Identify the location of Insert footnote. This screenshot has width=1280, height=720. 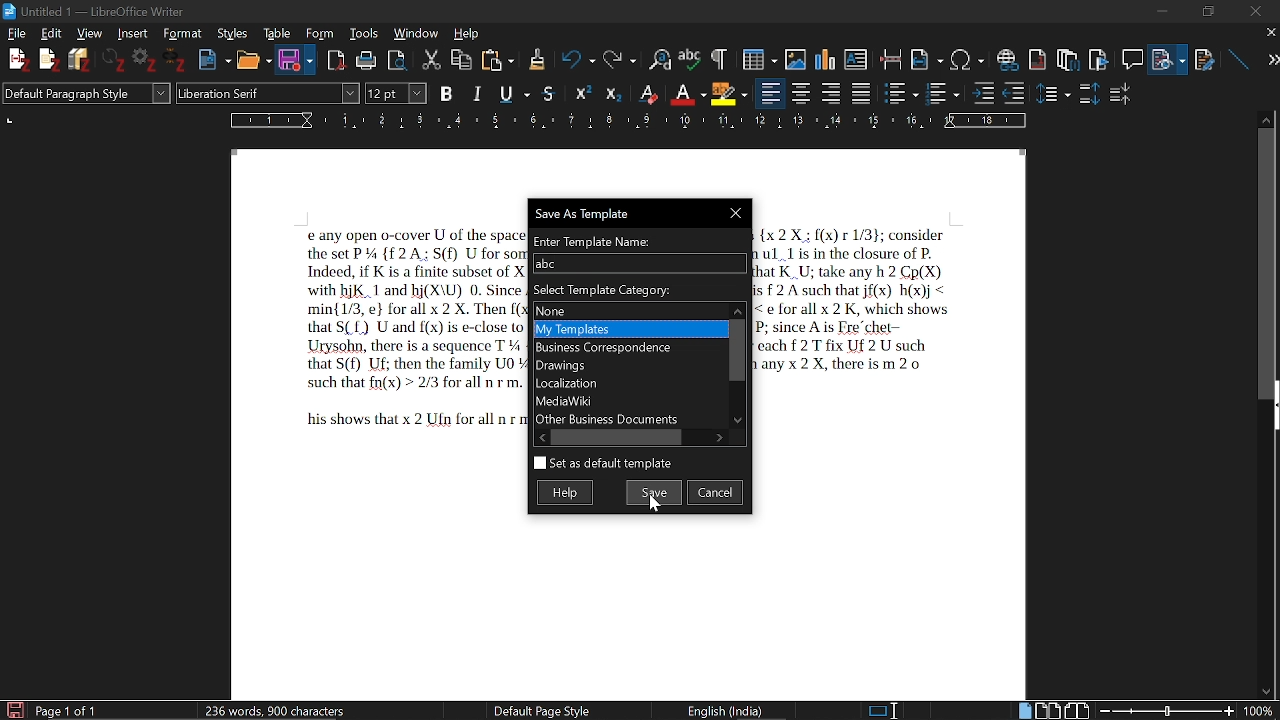
(1067, 56).